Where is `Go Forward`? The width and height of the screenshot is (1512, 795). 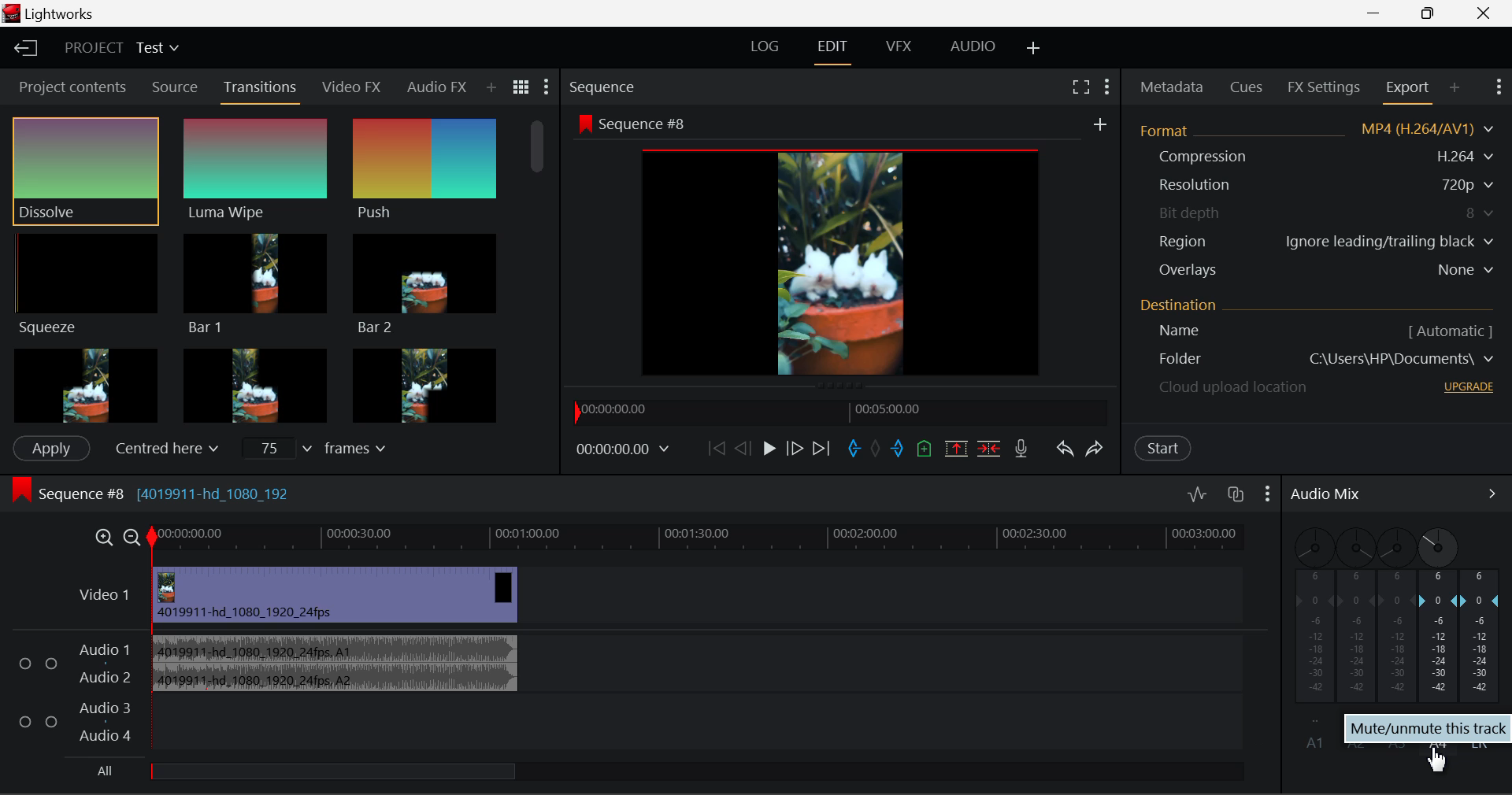 Go Forward is located at coordinates (795, 449).